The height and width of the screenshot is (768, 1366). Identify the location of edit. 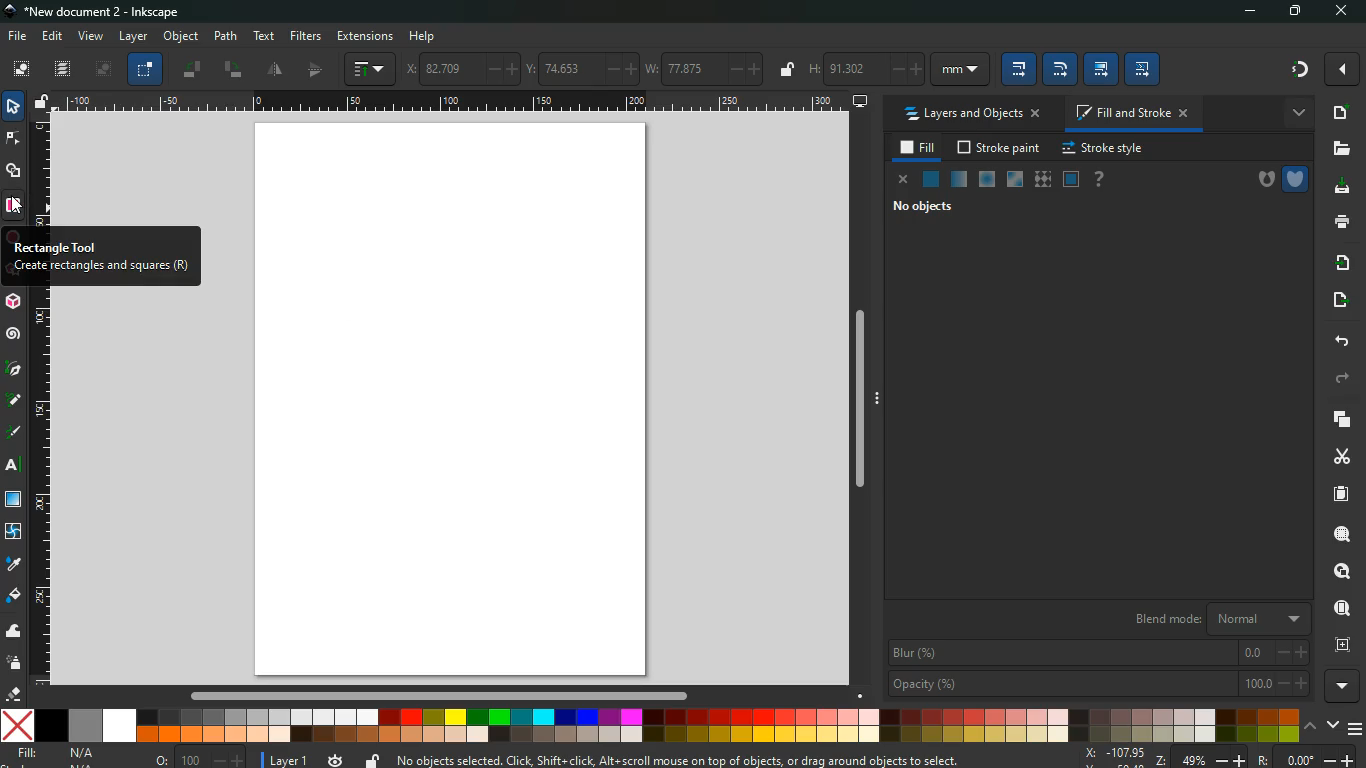
(53, 36).